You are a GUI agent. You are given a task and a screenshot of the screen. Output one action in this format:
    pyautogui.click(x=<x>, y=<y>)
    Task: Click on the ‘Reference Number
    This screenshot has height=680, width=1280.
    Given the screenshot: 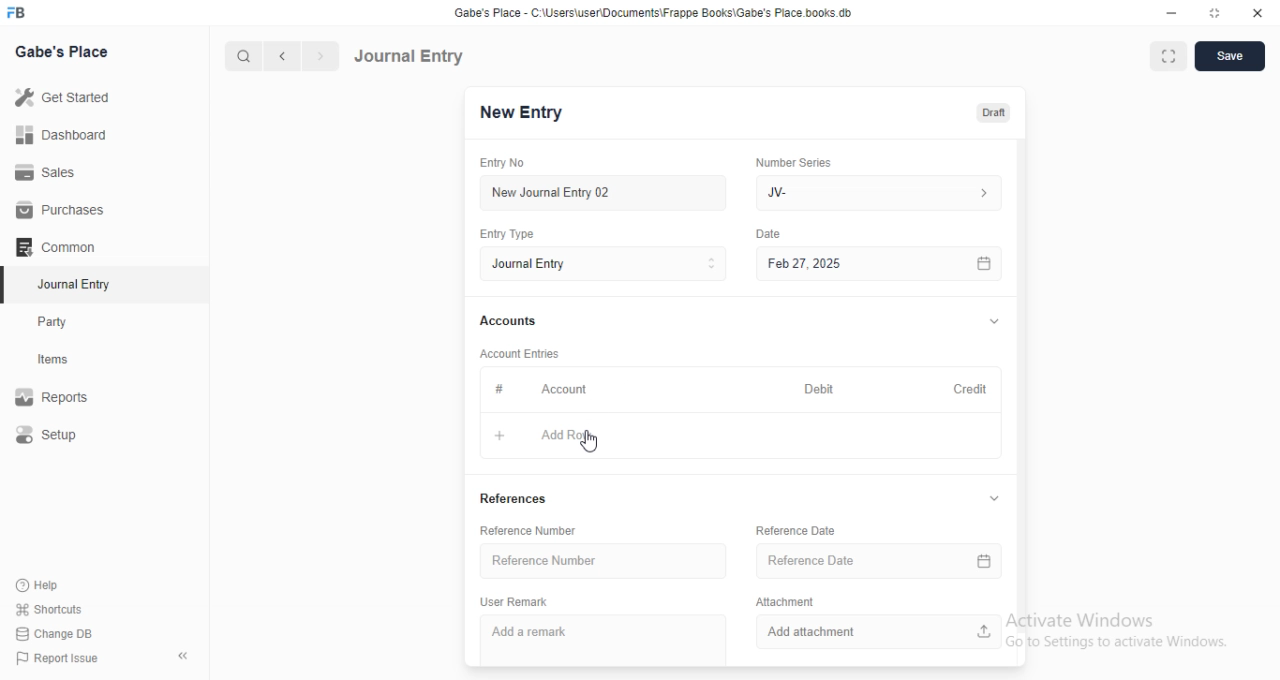 What is the action you would take?
    pyautogui.click(x=607, y=561)
    